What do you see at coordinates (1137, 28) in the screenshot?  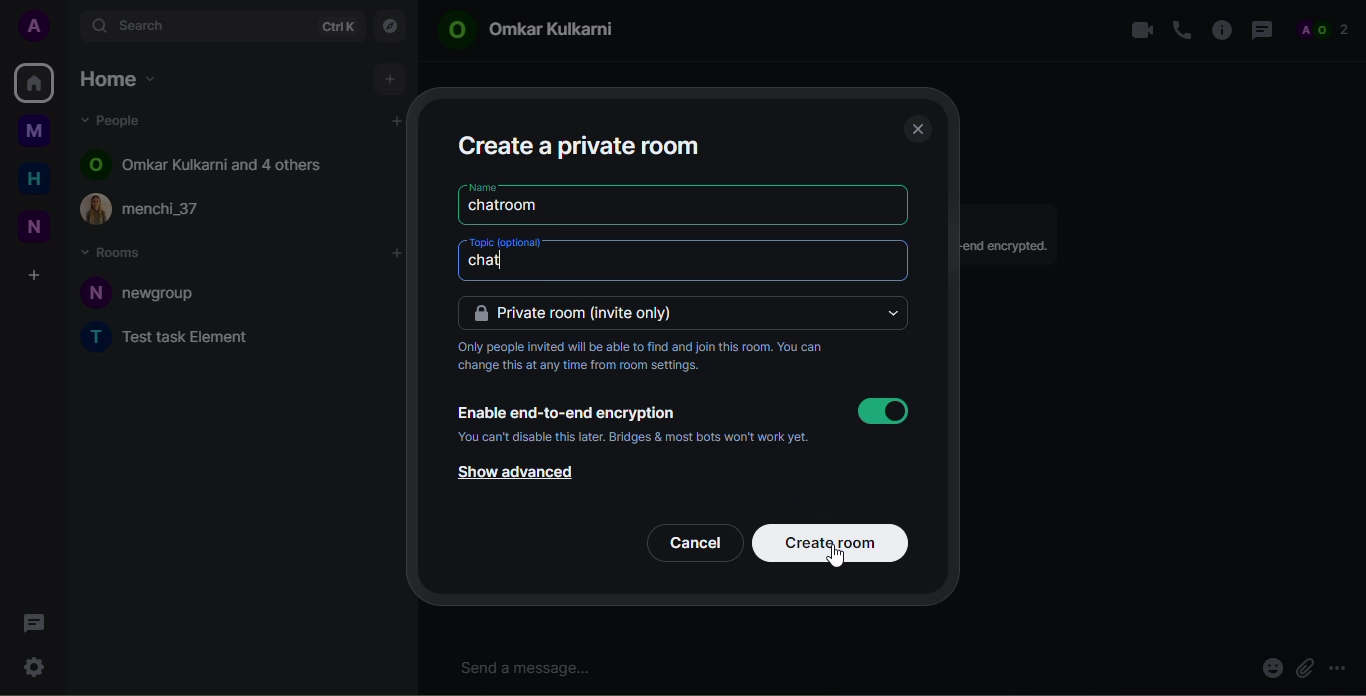 I see `video call` at bounding box center [1137, 28].